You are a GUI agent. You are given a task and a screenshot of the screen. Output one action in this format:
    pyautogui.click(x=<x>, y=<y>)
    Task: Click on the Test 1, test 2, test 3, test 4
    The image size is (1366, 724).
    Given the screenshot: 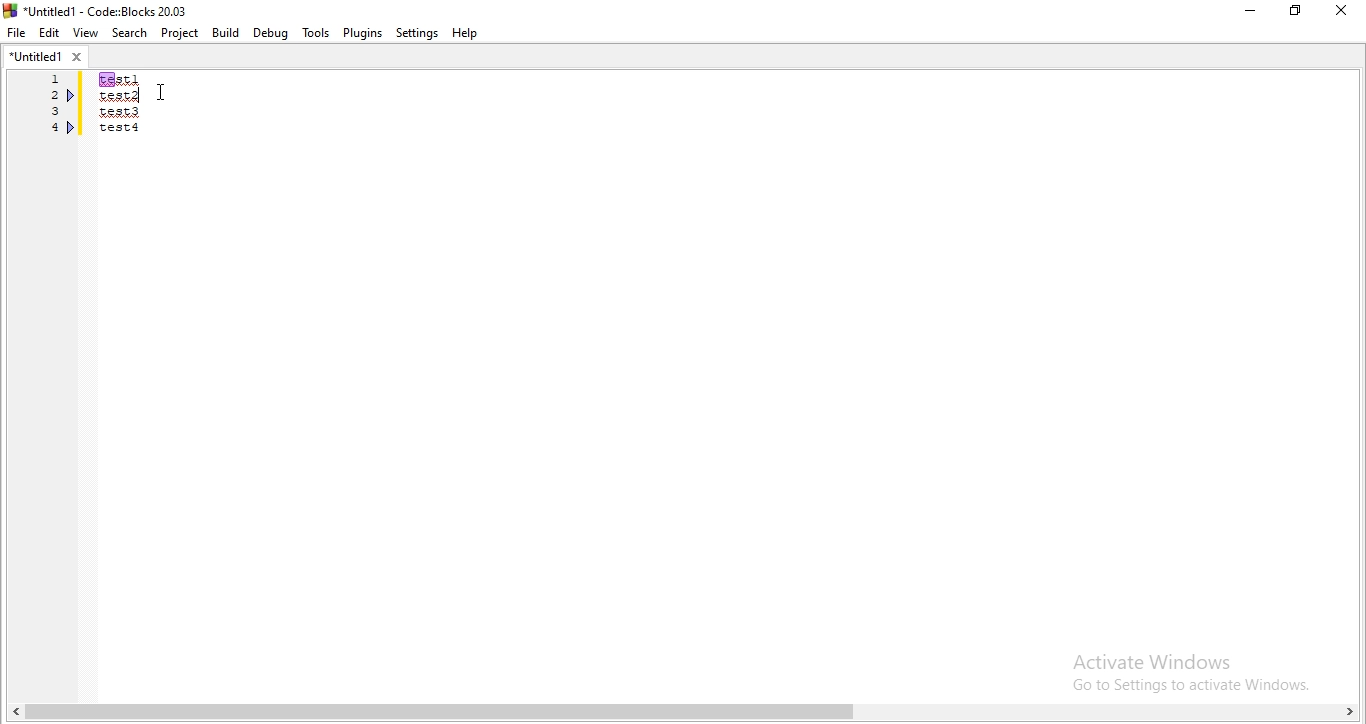 What is the action you would take?
    pyautogui.click(x=146, y=119)
    